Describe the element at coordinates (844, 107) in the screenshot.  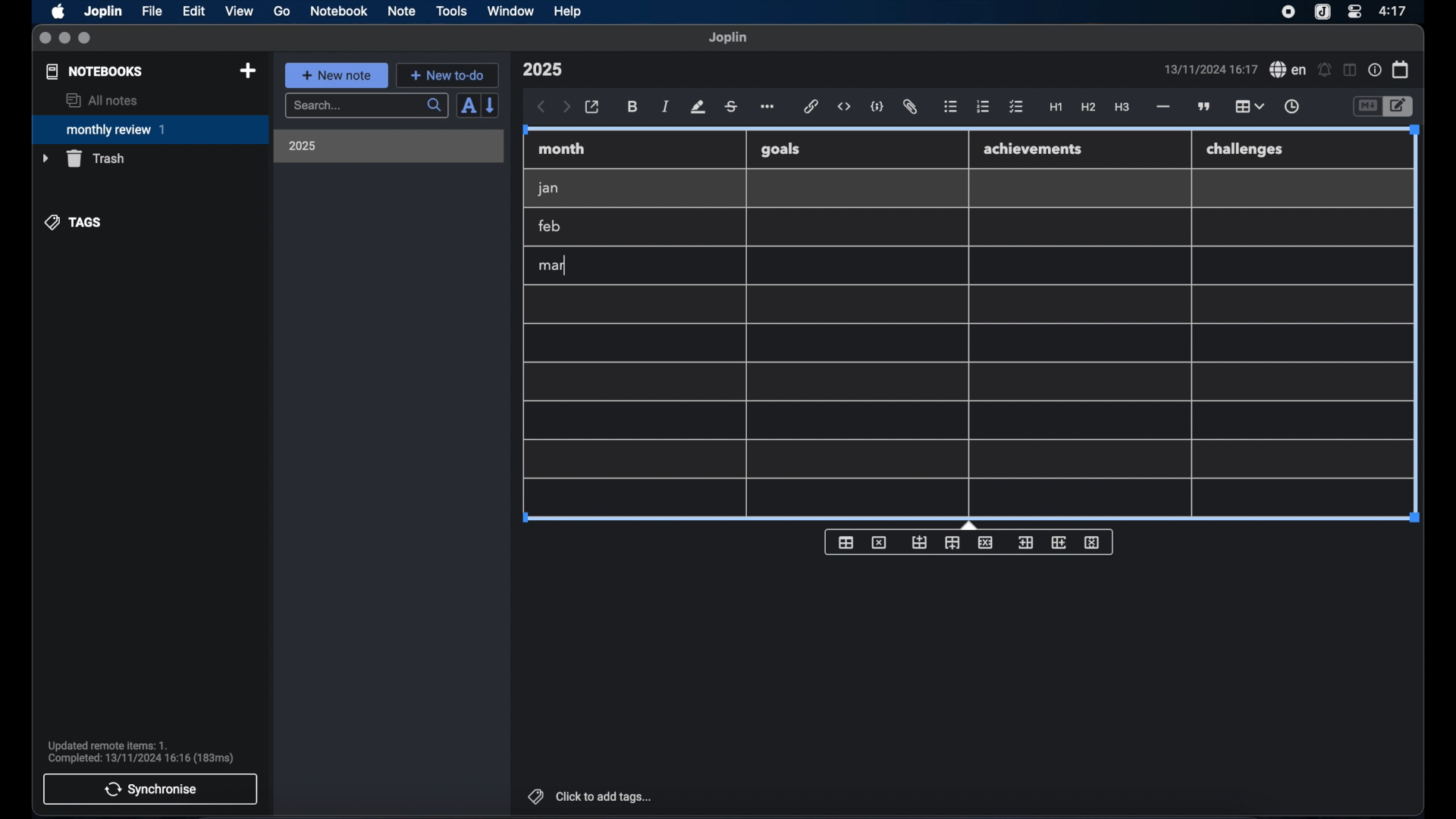
I see `inline code` at that location.